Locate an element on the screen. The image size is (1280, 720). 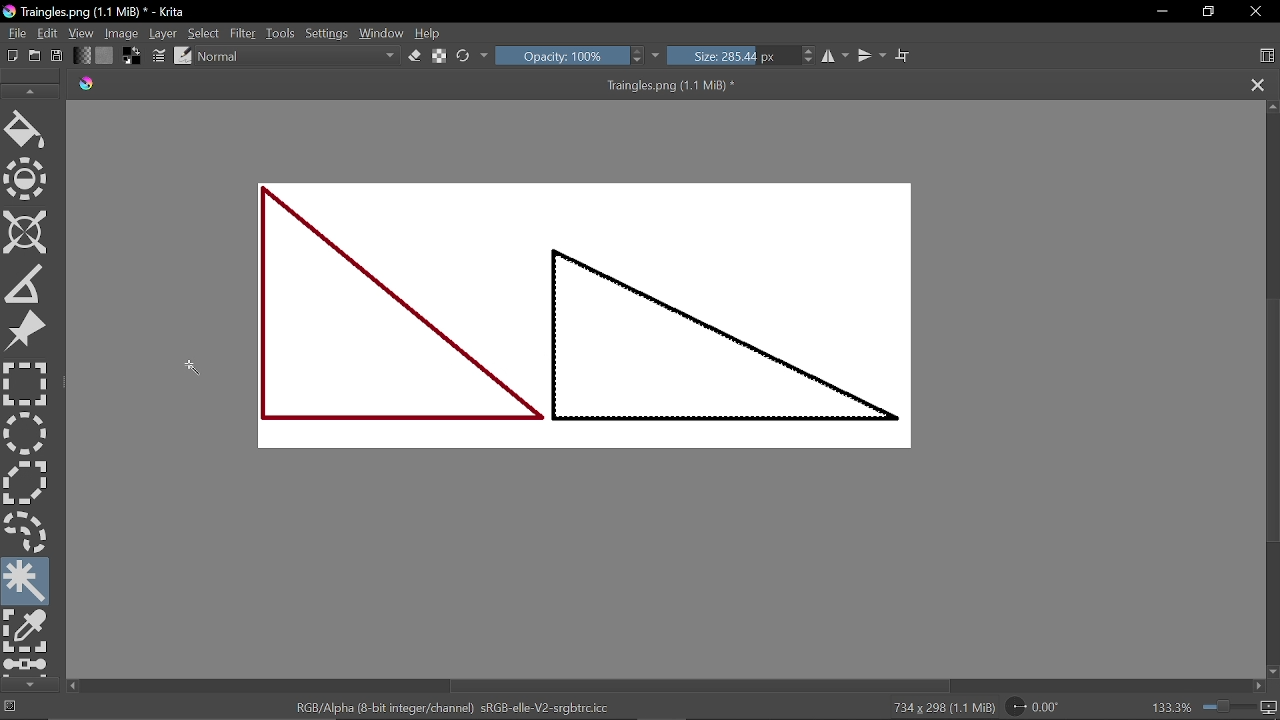
Close tab is located at coordinates (1254, 84).